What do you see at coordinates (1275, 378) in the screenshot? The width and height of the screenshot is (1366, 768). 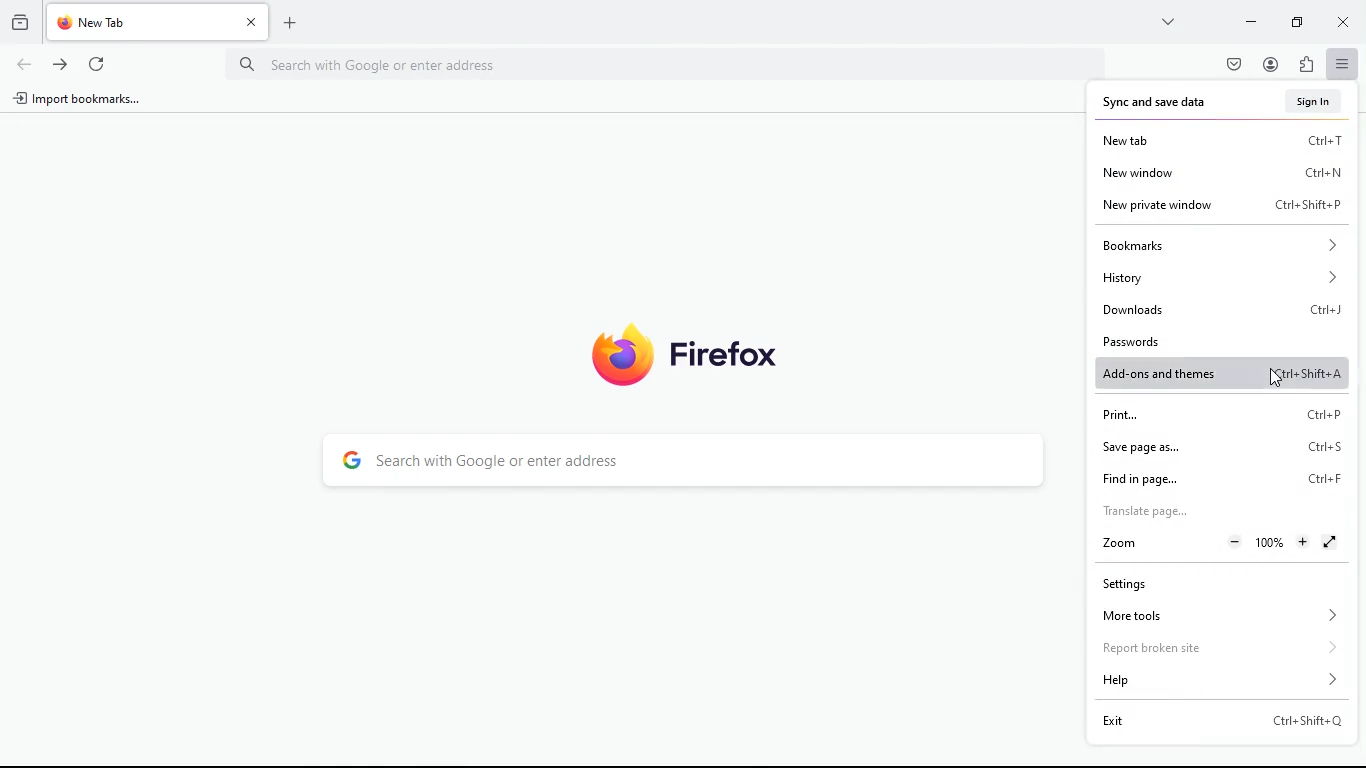 I see `cursor` at bounding box center [1275, 378].